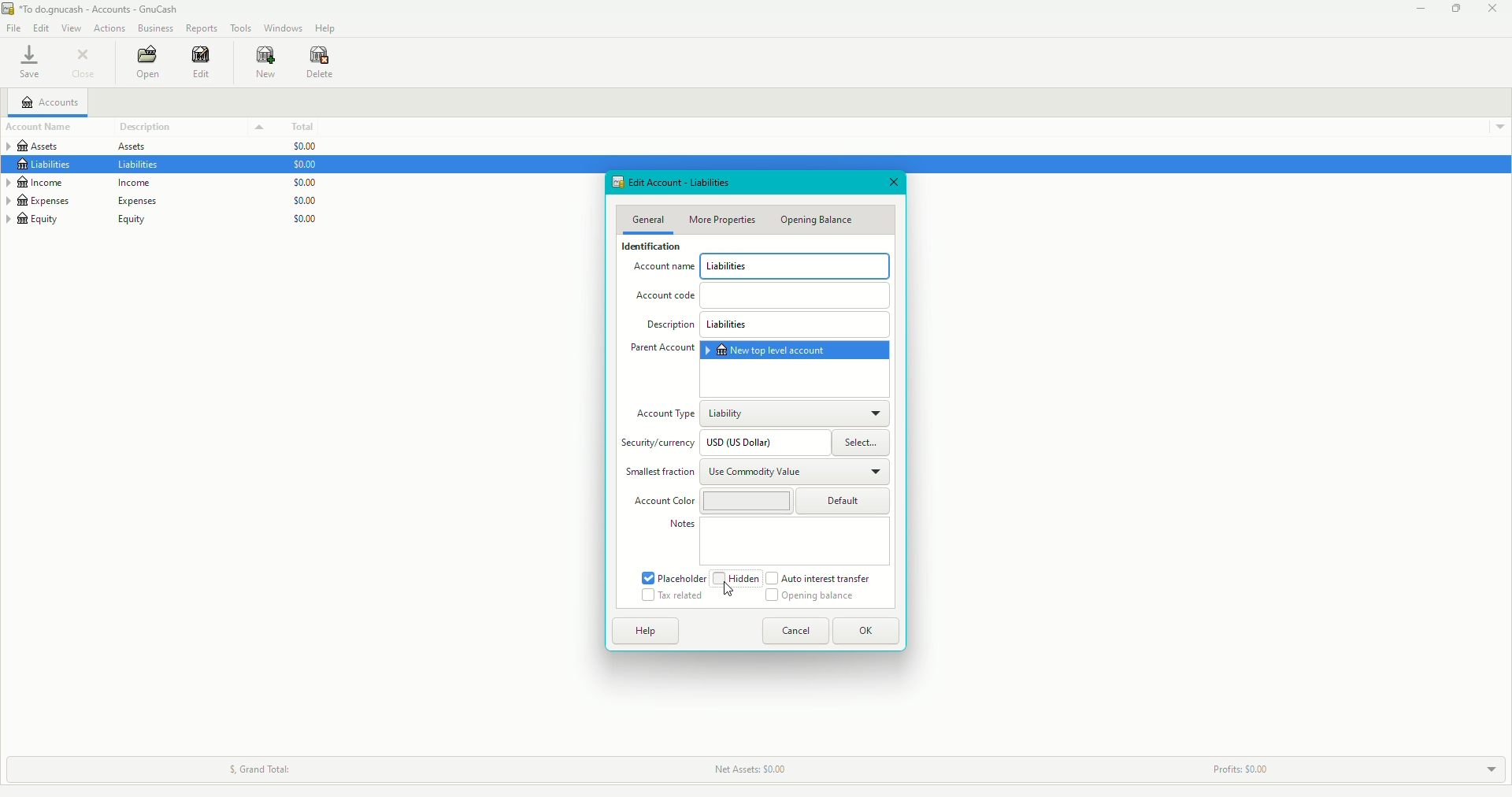 Image resolution: width=1512 pixels, height=797 pixels. Describe the element at coordinates (739, 578) in the screenshot. I see `Hidden` at that location.